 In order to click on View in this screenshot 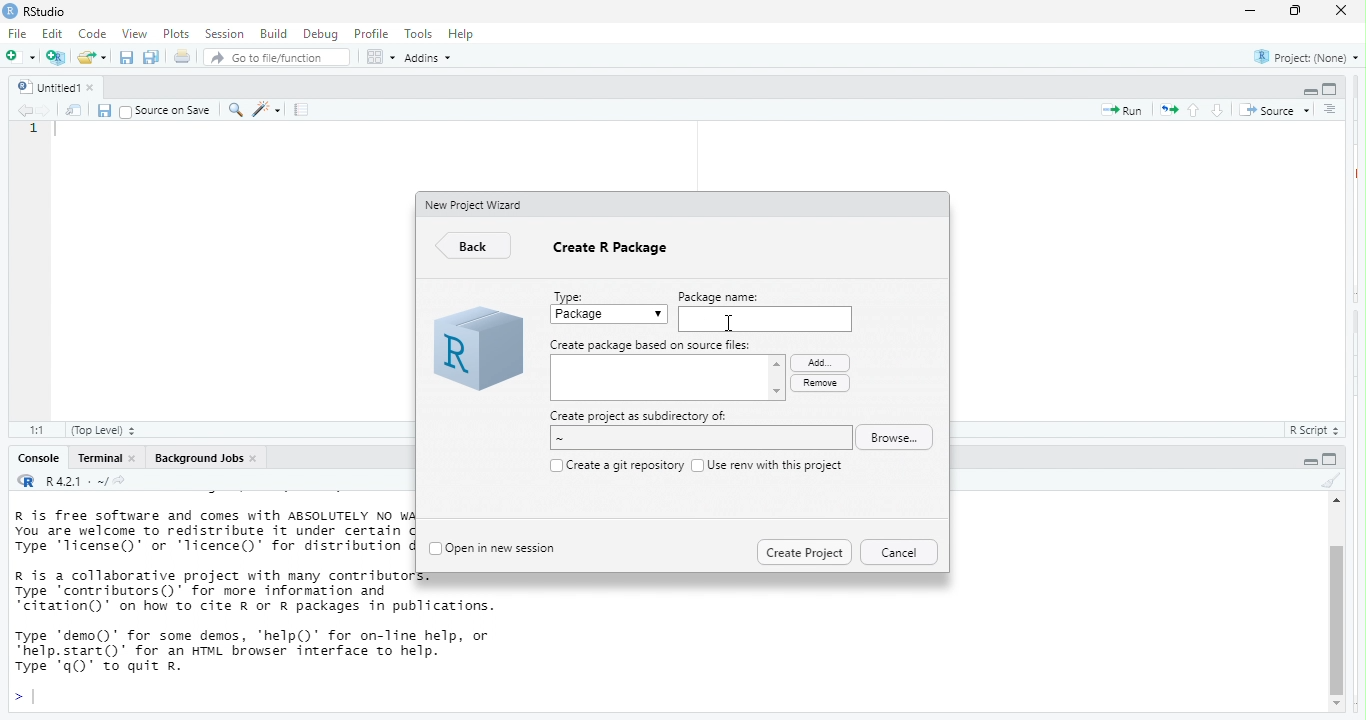, I will do `click(133, 34)`.